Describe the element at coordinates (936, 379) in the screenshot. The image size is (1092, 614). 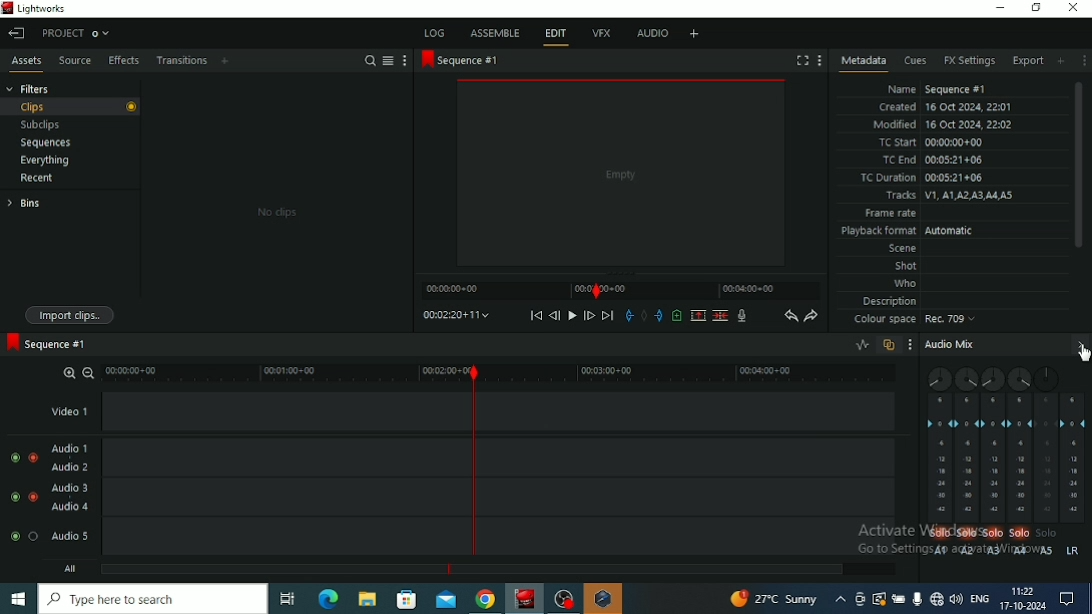
I see `Adjust Pan` at that location.